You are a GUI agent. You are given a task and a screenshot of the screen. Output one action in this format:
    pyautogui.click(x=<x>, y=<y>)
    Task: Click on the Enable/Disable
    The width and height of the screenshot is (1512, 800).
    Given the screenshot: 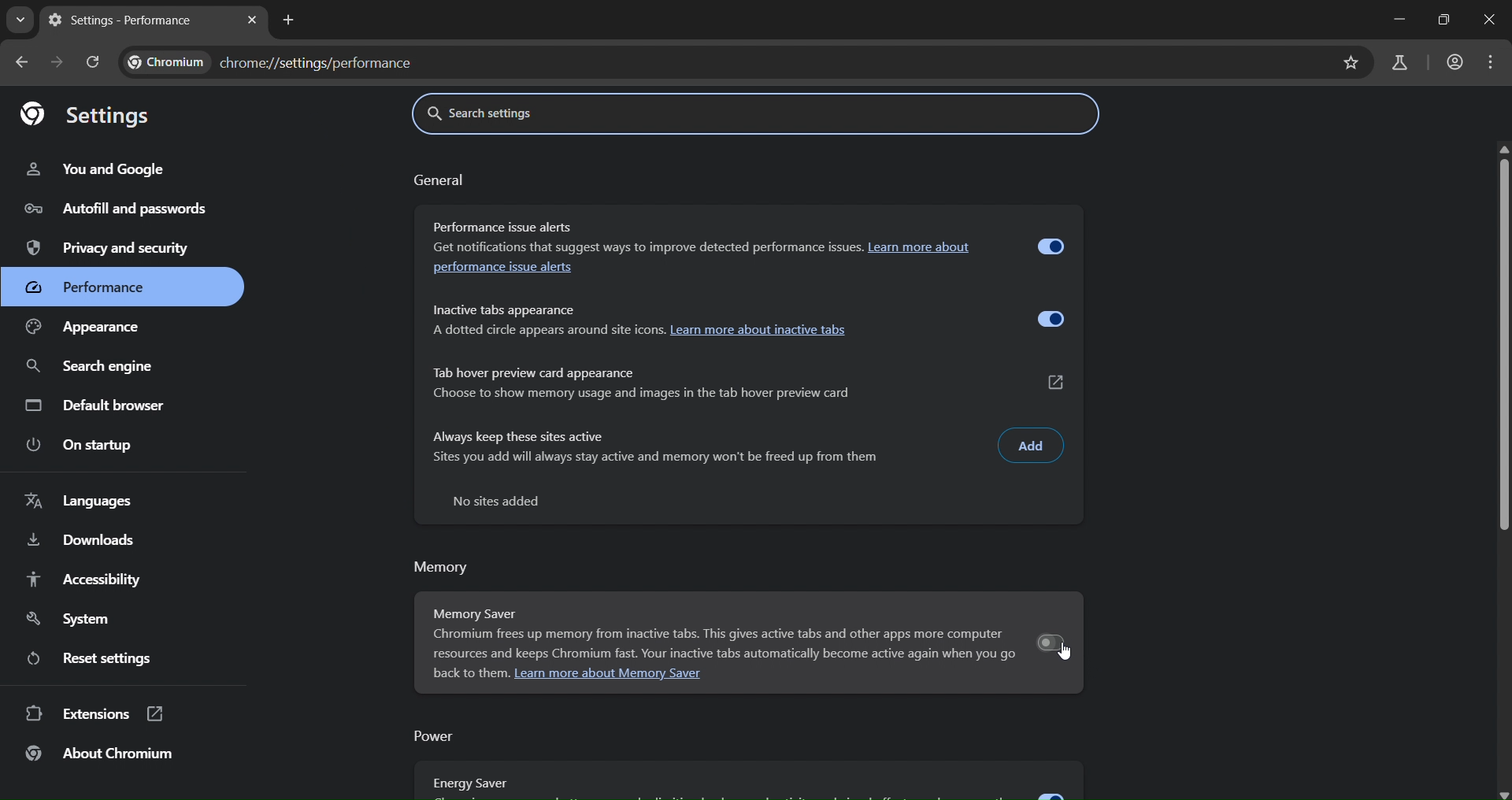 What is the action you would take?
    pyautogui.click(x=1049, y=320)
    